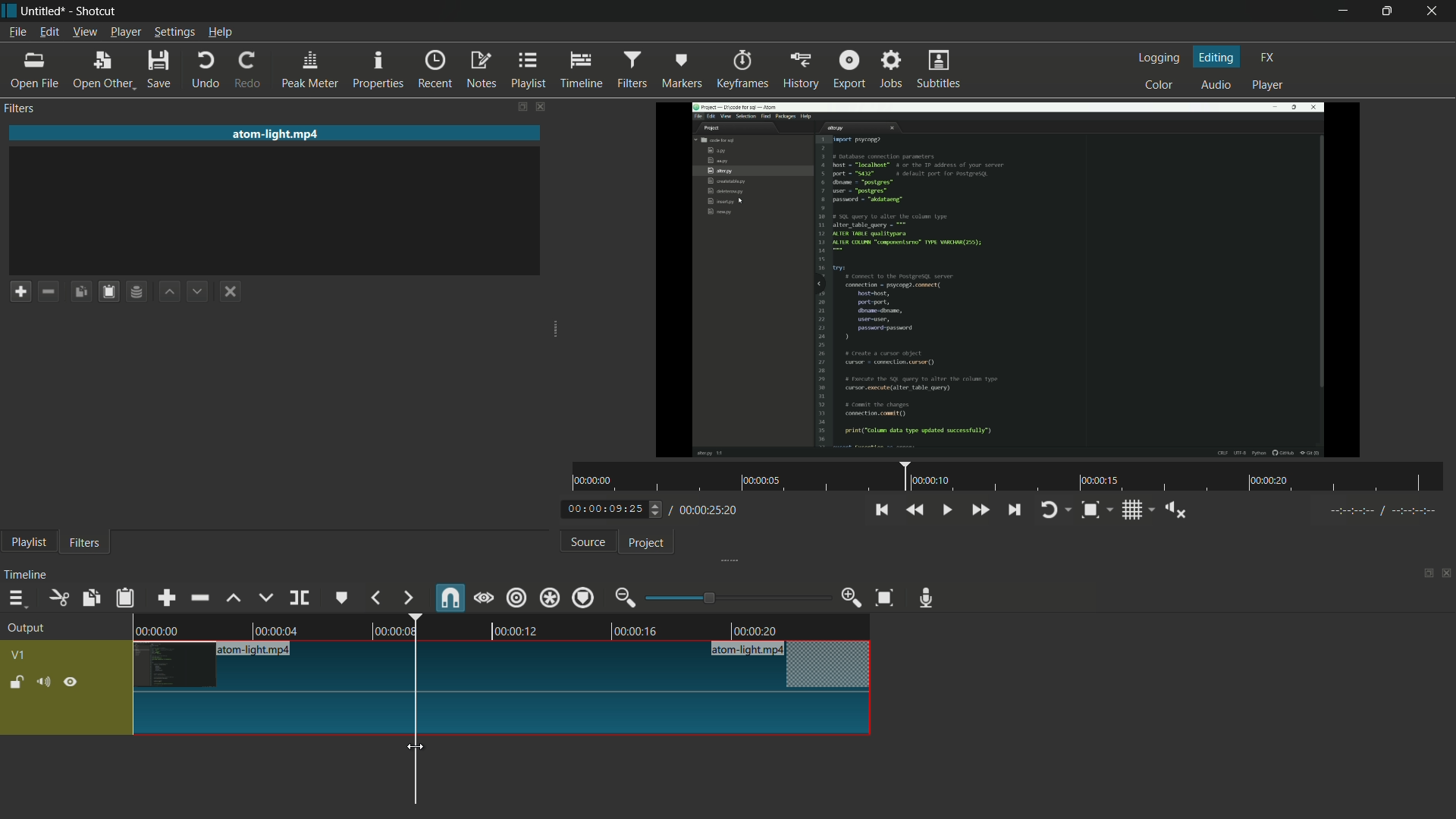 This screenshot has height=819, width=1456. I want to click on zoom timeline to fit, so click(885, 599).